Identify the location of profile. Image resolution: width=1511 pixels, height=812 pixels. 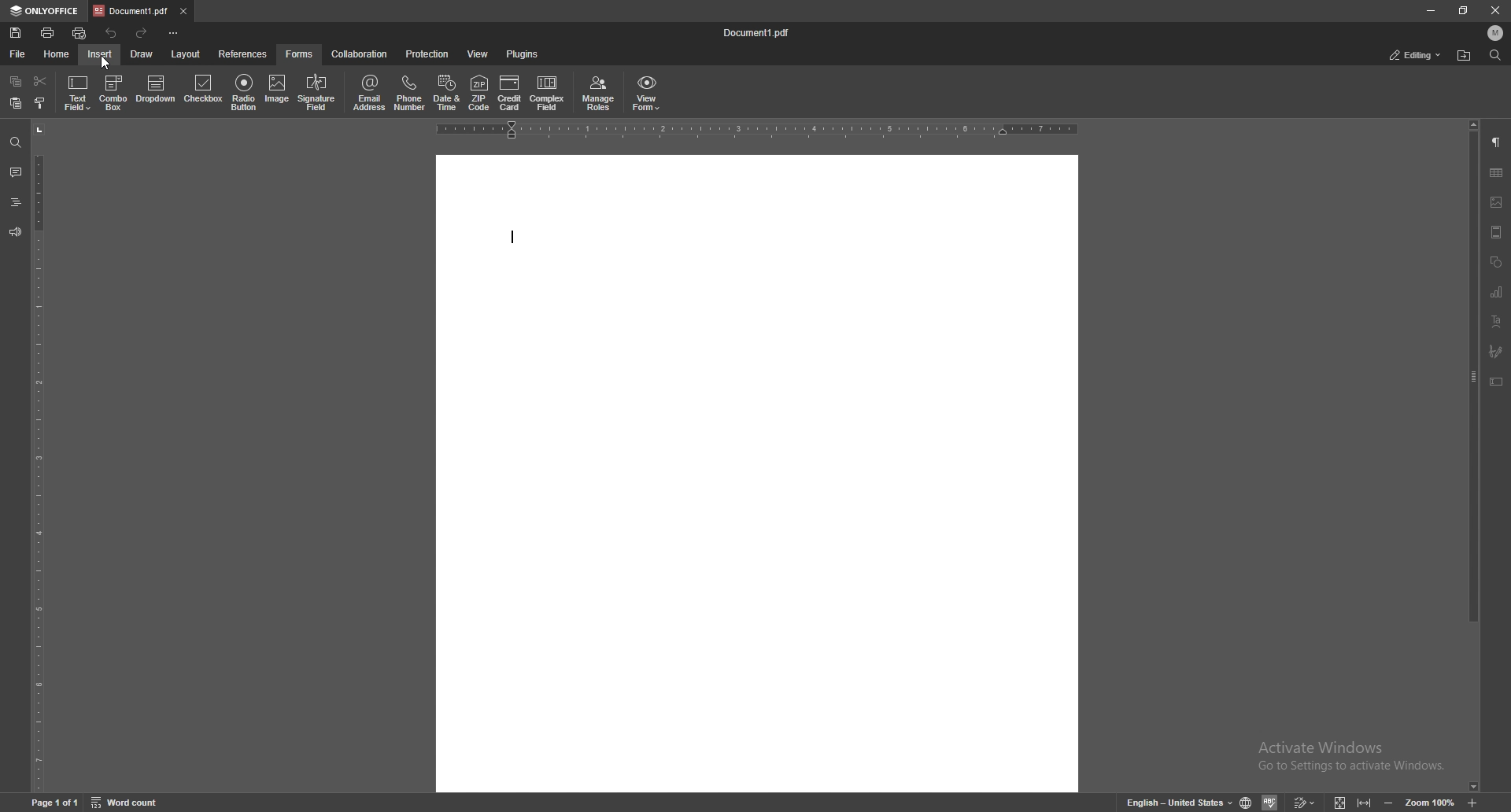
(1496, 33).